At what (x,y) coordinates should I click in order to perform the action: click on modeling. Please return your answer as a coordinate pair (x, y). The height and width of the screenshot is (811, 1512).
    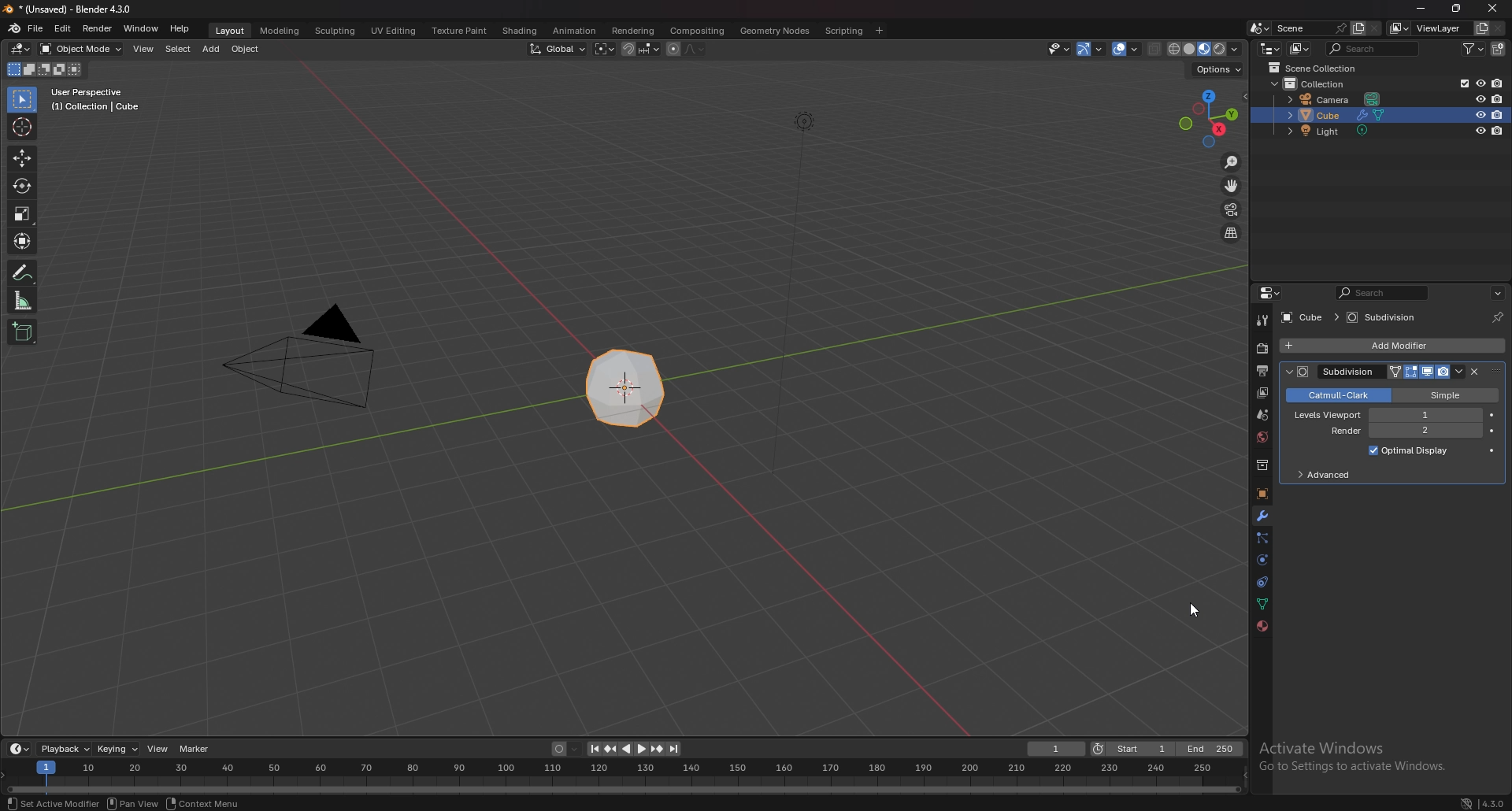
    Looking at the image, I should click on (281, 30).